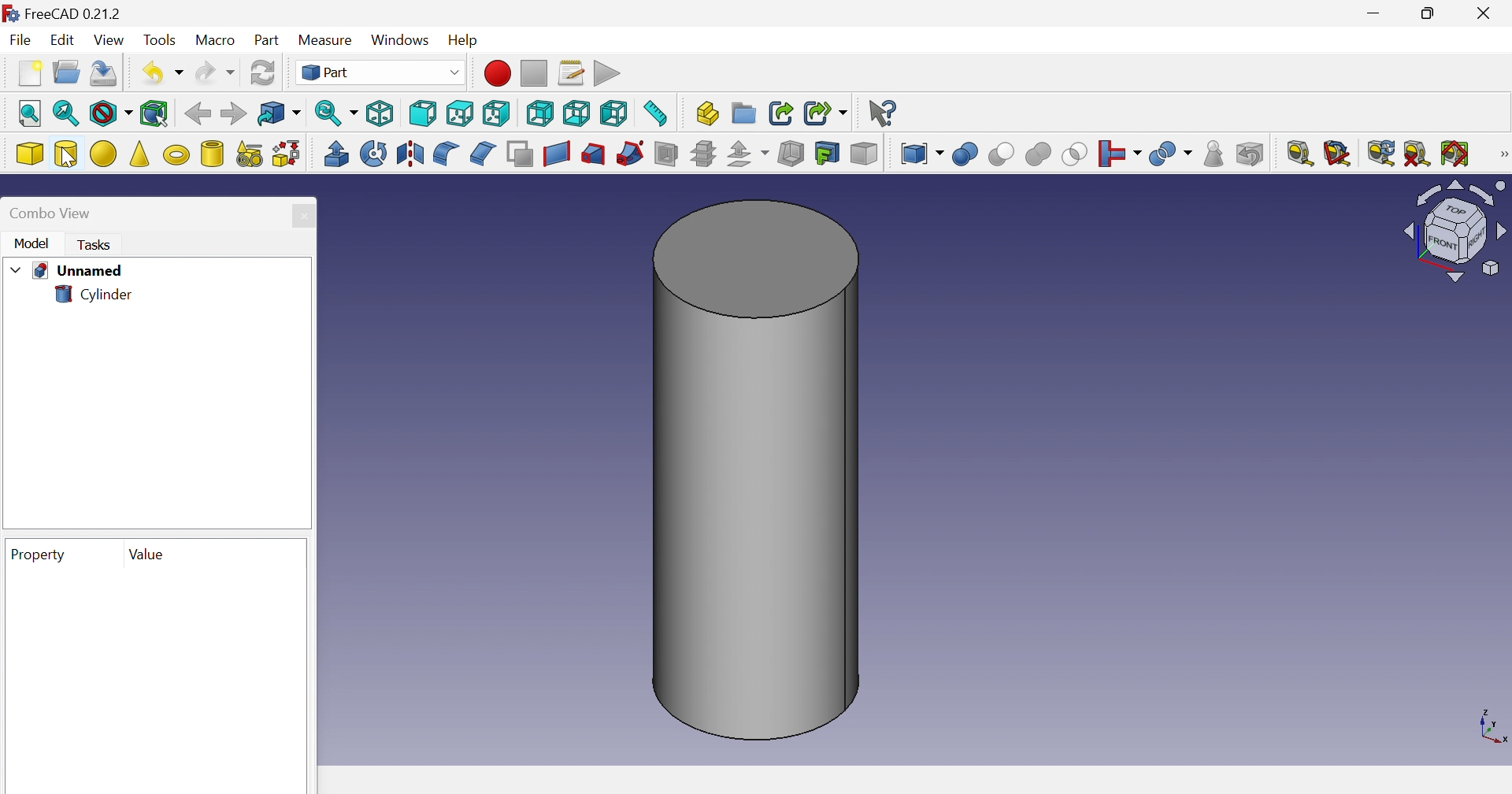 This screenshot has width=1512, height=794. What do you see at coordinates (63, 11) in the screenshot?
I see `FREECAD 0.21.2` at bounding box center [63, 11].